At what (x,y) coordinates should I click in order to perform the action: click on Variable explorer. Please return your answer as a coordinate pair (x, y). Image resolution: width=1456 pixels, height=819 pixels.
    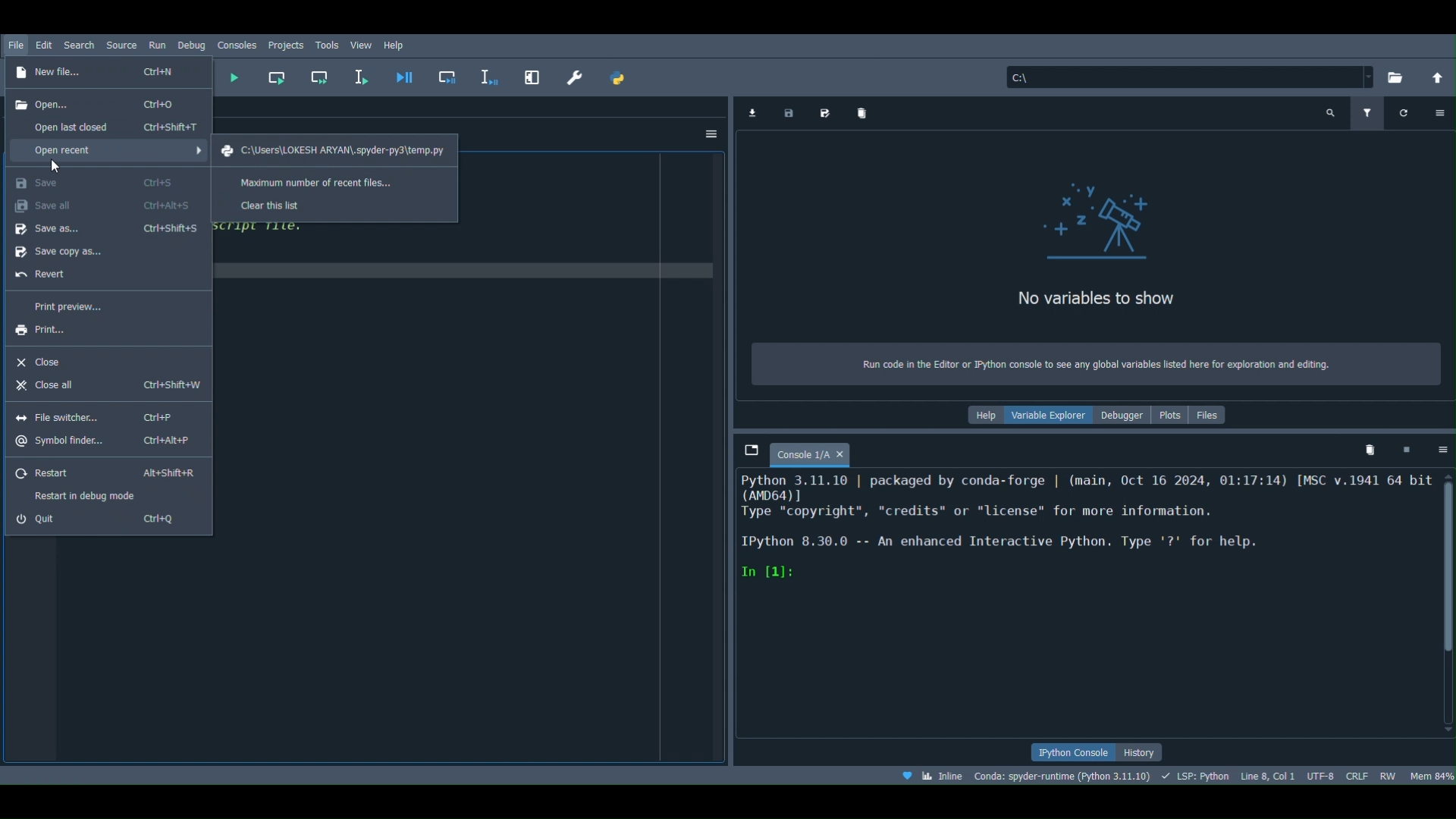
    Looking at the image, I should click on (1050, 417).